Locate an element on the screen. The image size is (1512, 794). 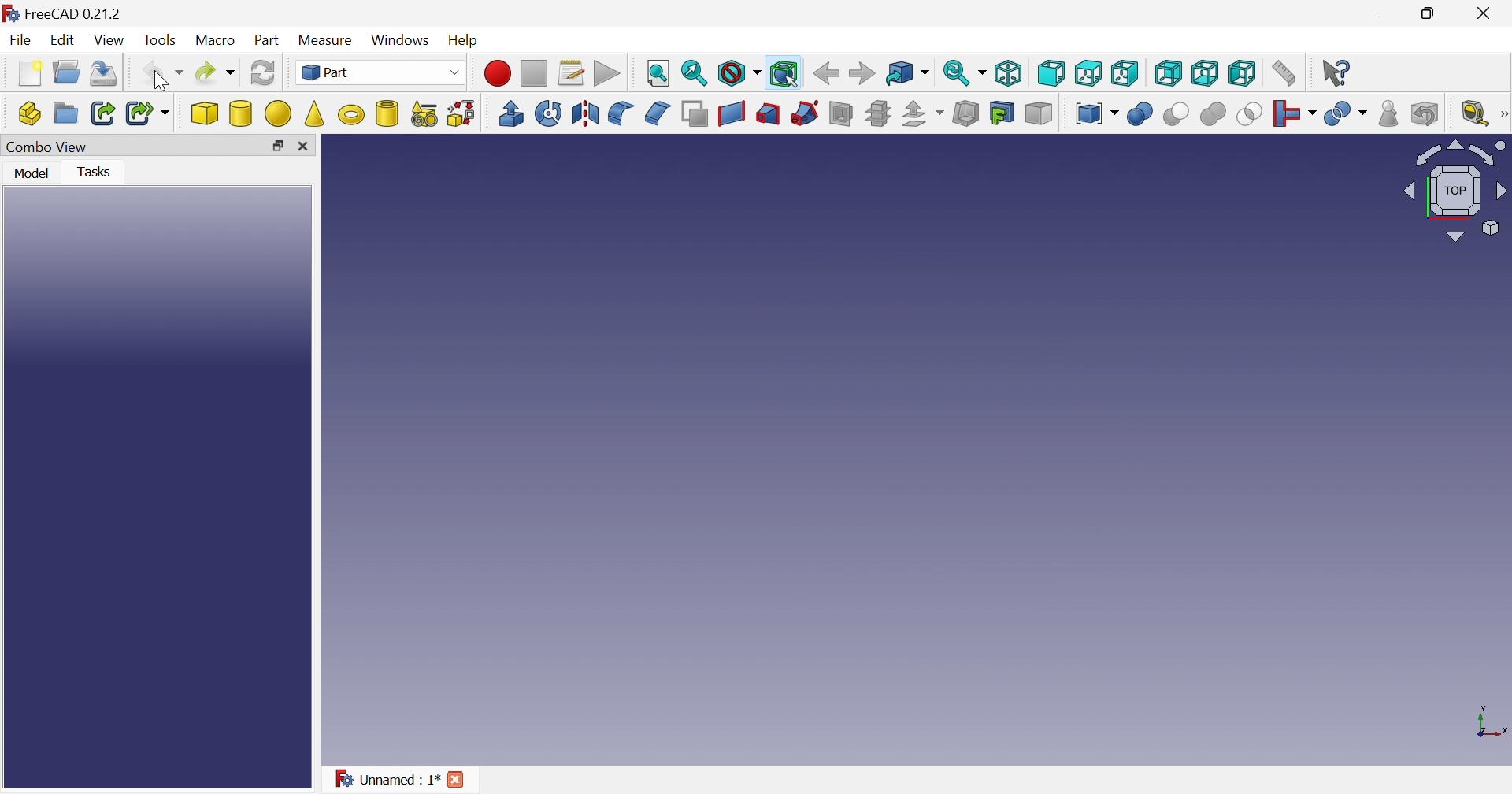
Union is located at coordinates (1213, 114).